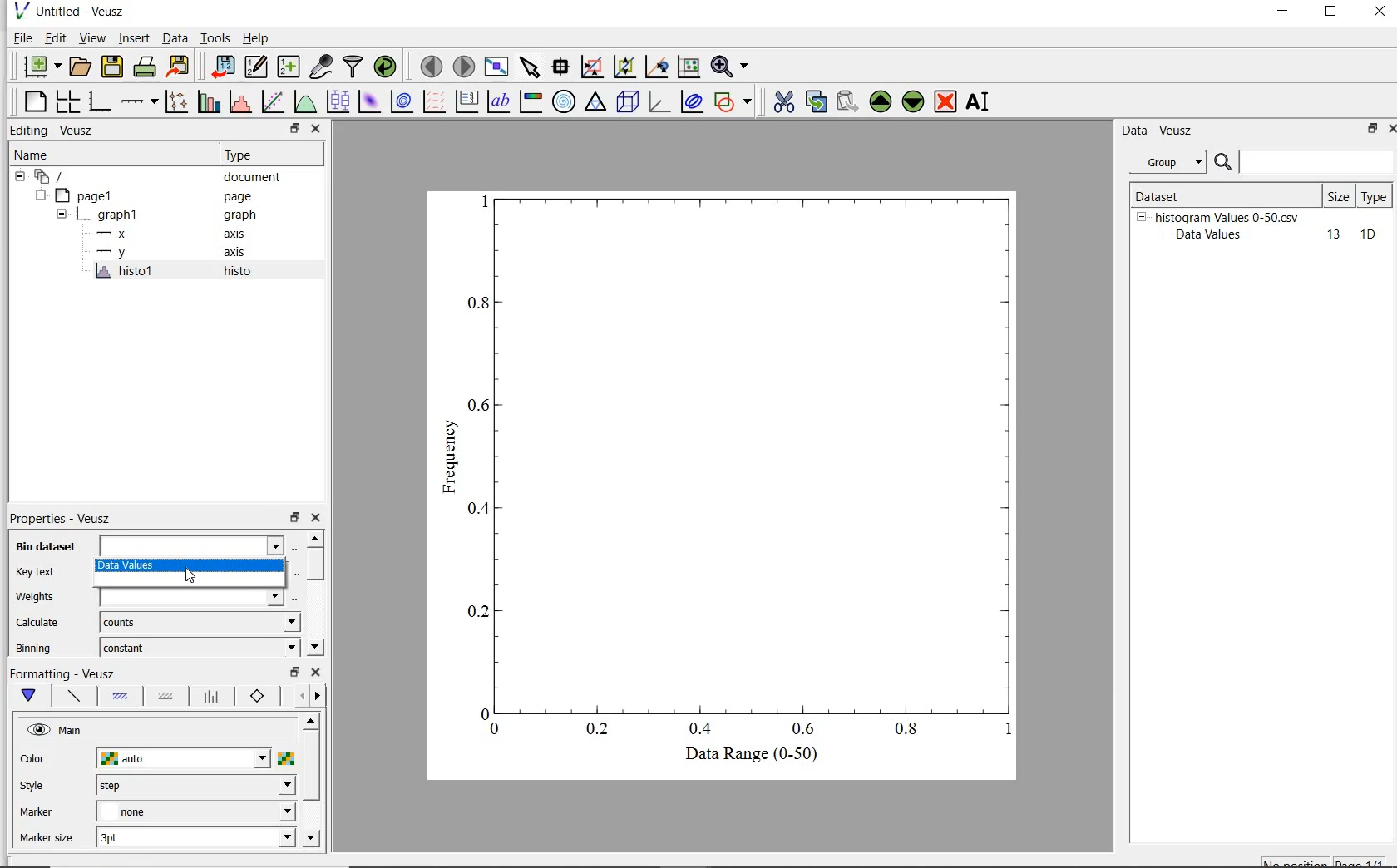 The height and width of the screenshot is (868, 1397). Describe the element at coordinates (246, 197) in the screenshot. I see `page` at that location.